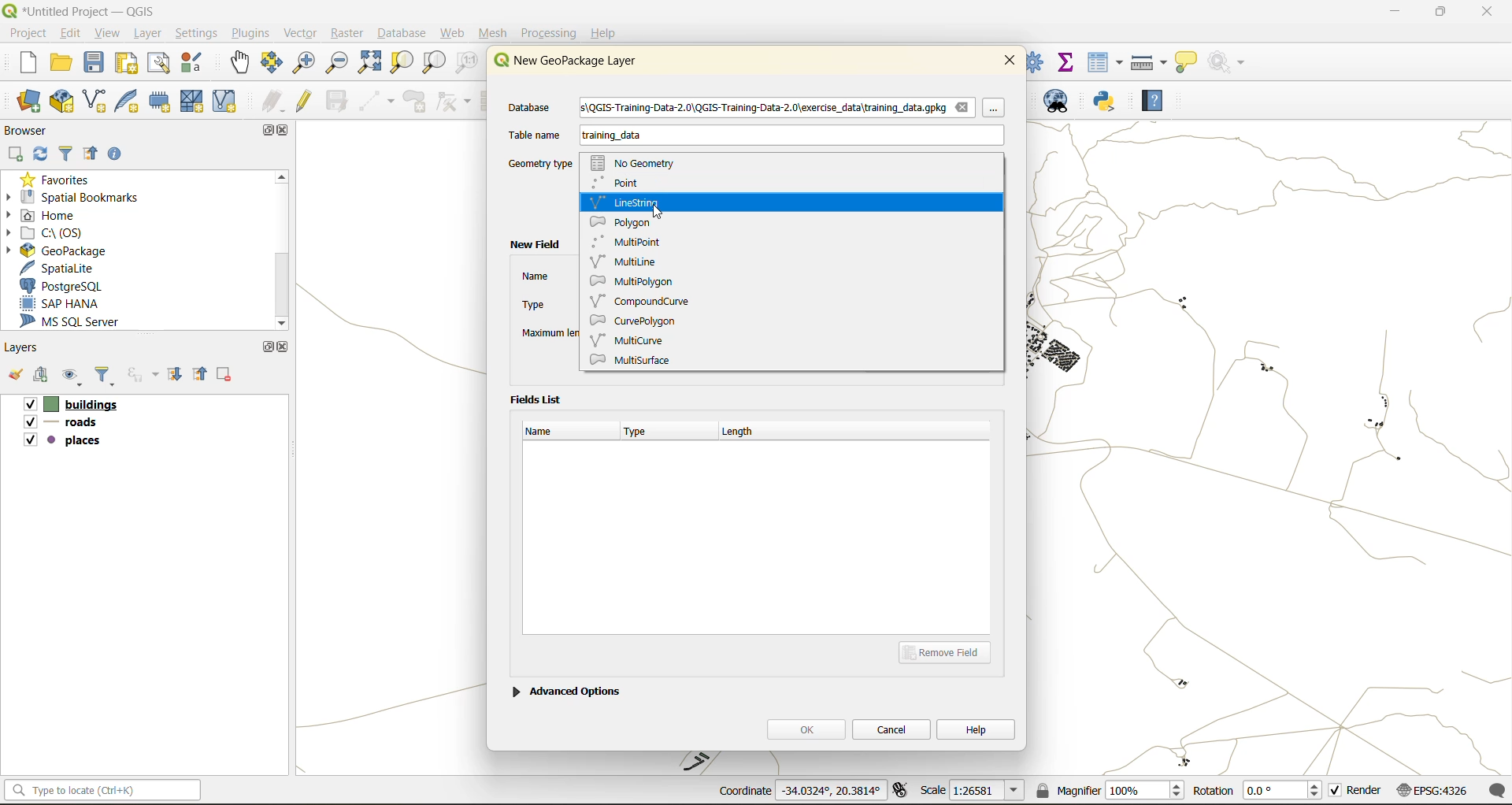 The width and height of the screenshot is (1512, 805). I want to click on remove, so click(225, 377).